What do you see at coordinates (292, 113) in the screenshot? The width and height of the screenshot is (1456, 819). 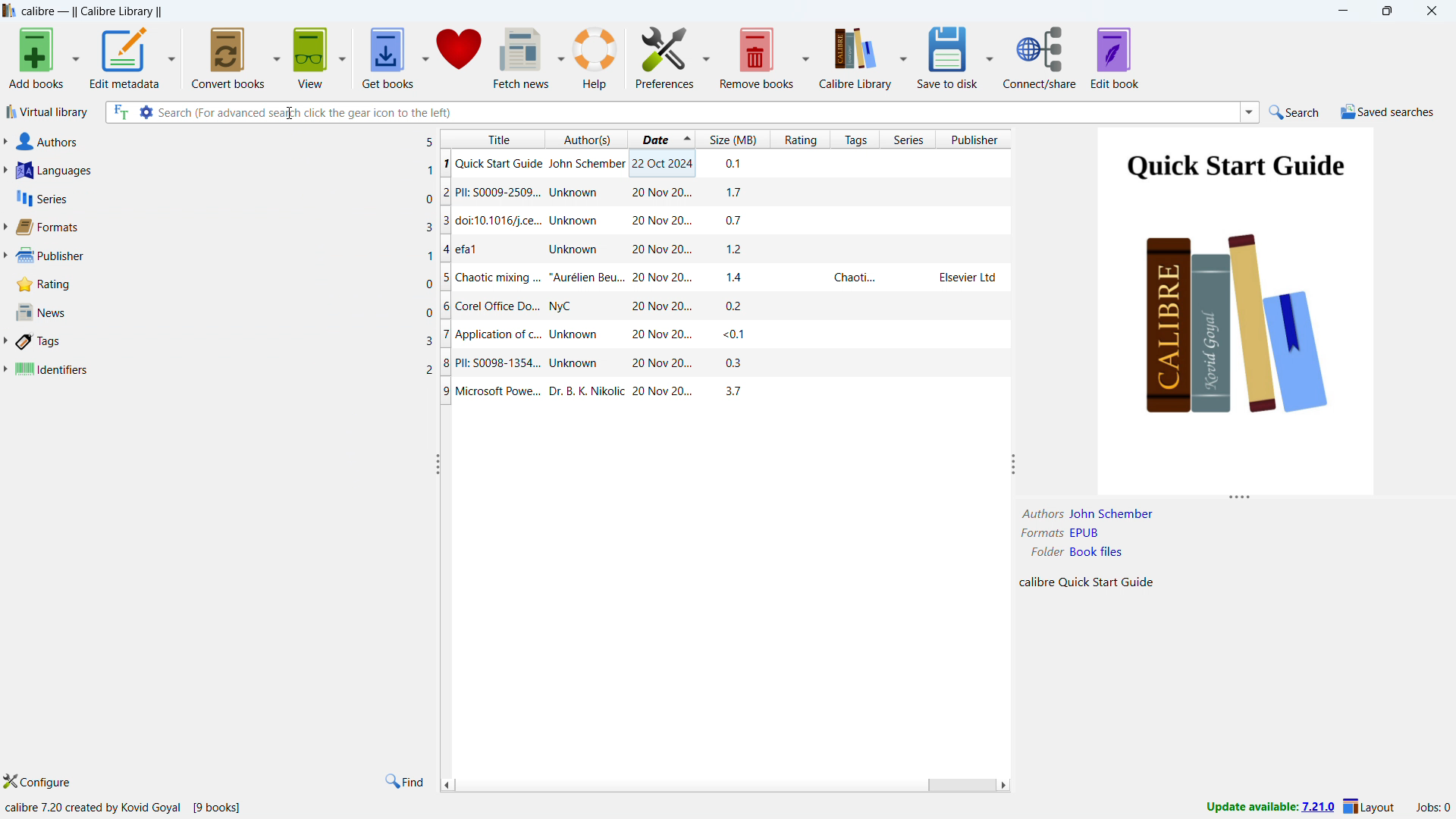 I see `cursor` at bounding box center [292, 113].